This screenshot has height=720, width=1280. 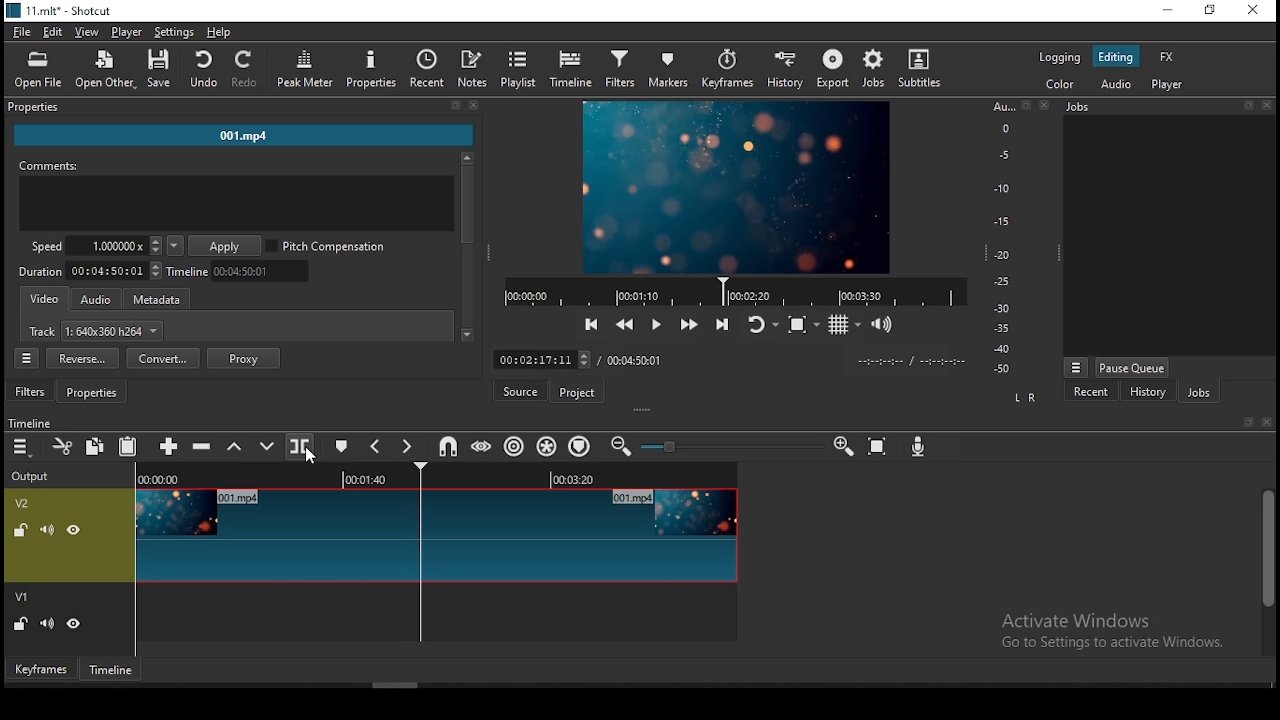 I want to click on (UN)HIDE, so click(x=75, y=626).